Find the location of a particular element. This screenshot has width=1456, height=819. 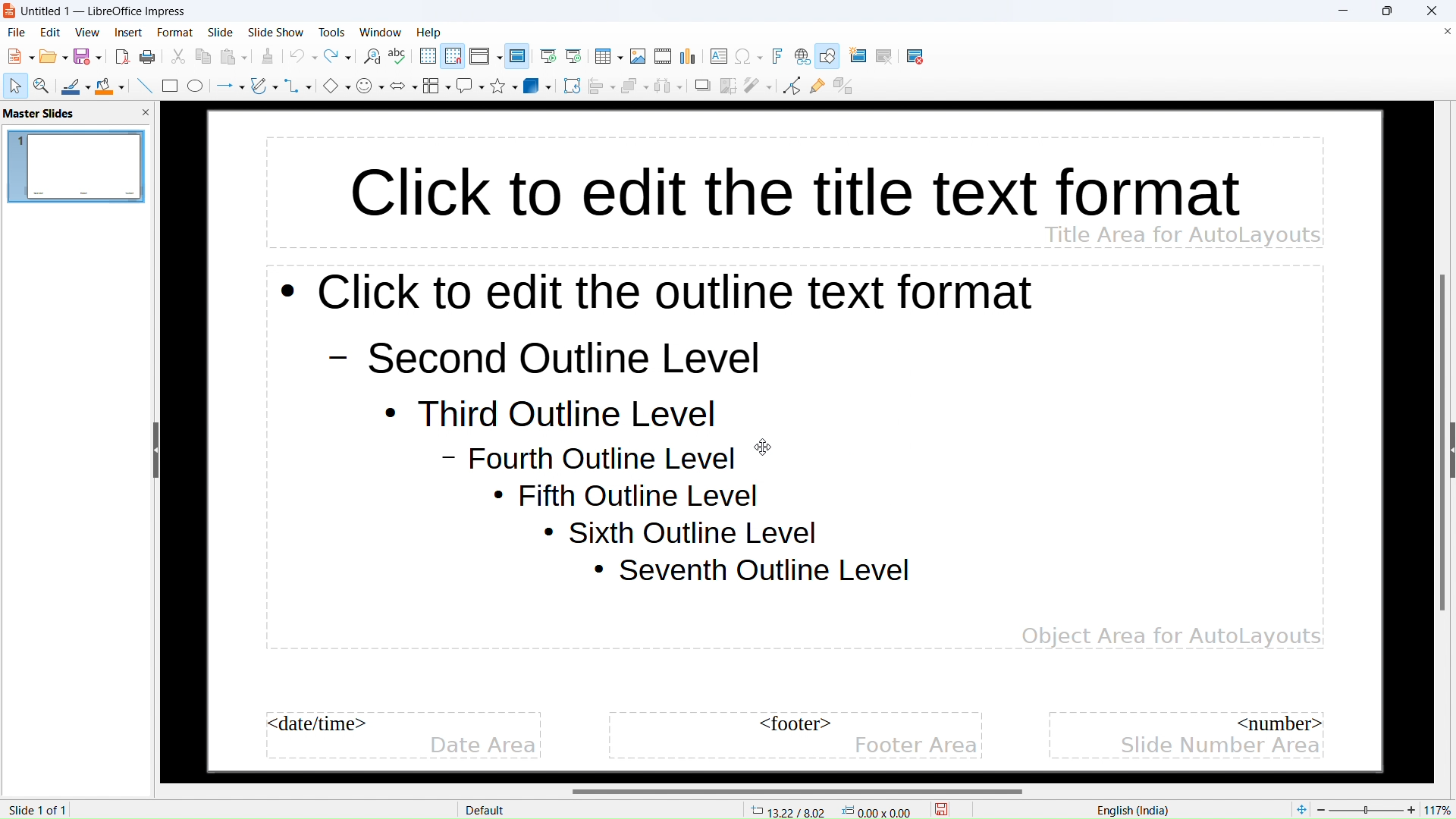

window is located at coordinates (381, 33).